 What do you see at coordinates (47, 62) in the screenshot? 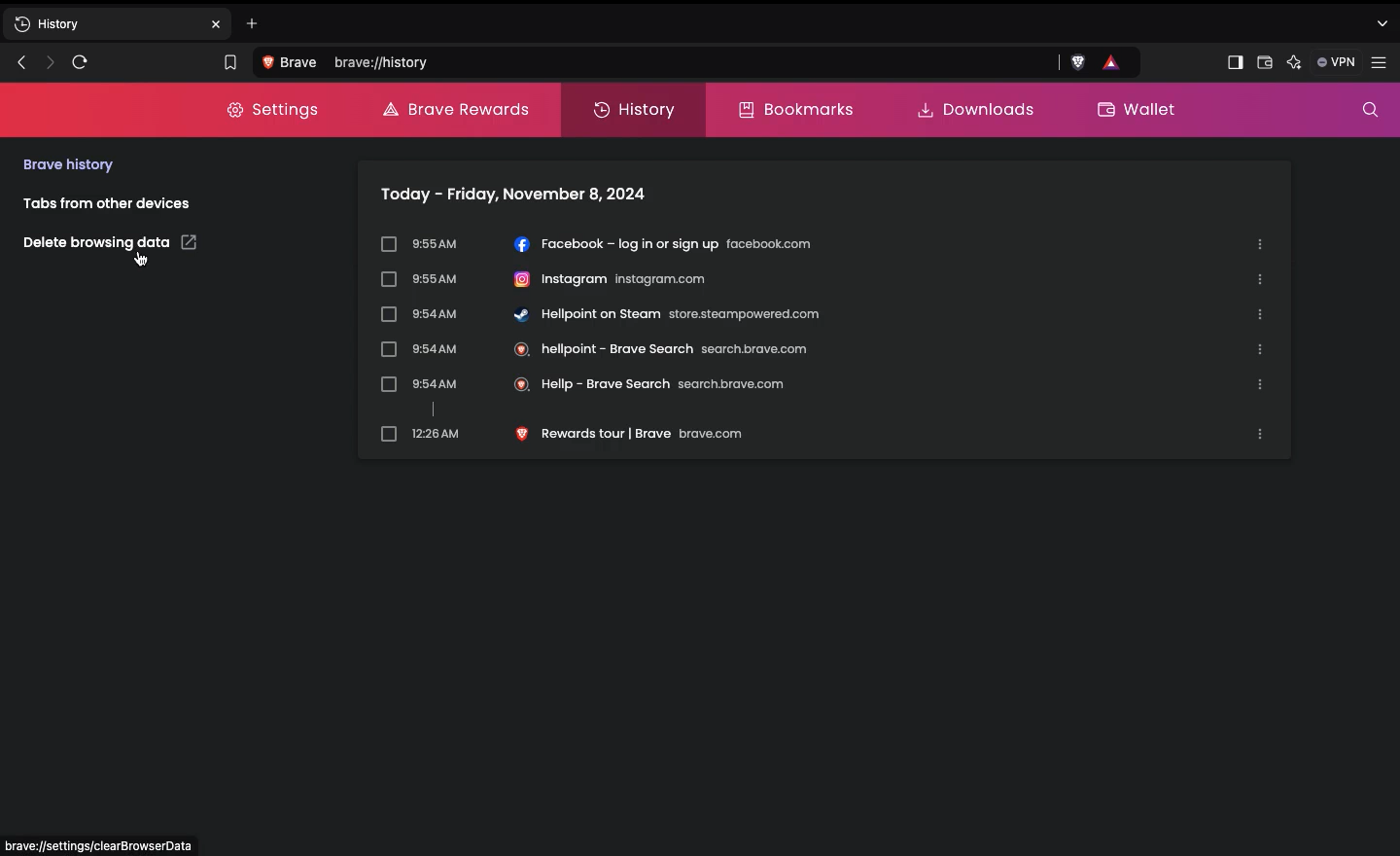
I see `Next page` at bounding box center [47, 62].